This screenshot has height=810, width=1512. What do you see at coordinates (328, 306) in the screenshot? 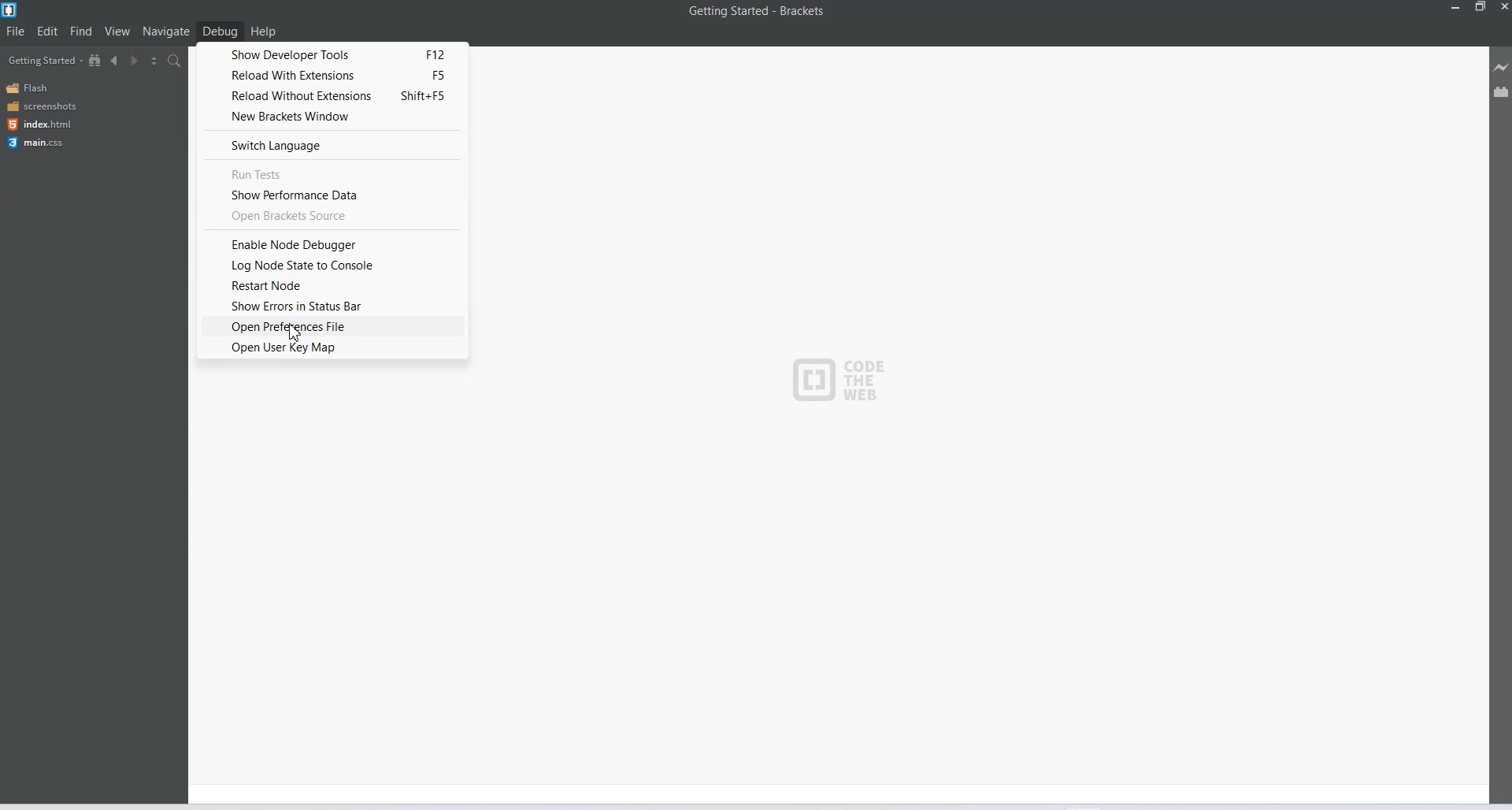
I see `Show Errors in Status Bar` at bounding box center [328, 306].